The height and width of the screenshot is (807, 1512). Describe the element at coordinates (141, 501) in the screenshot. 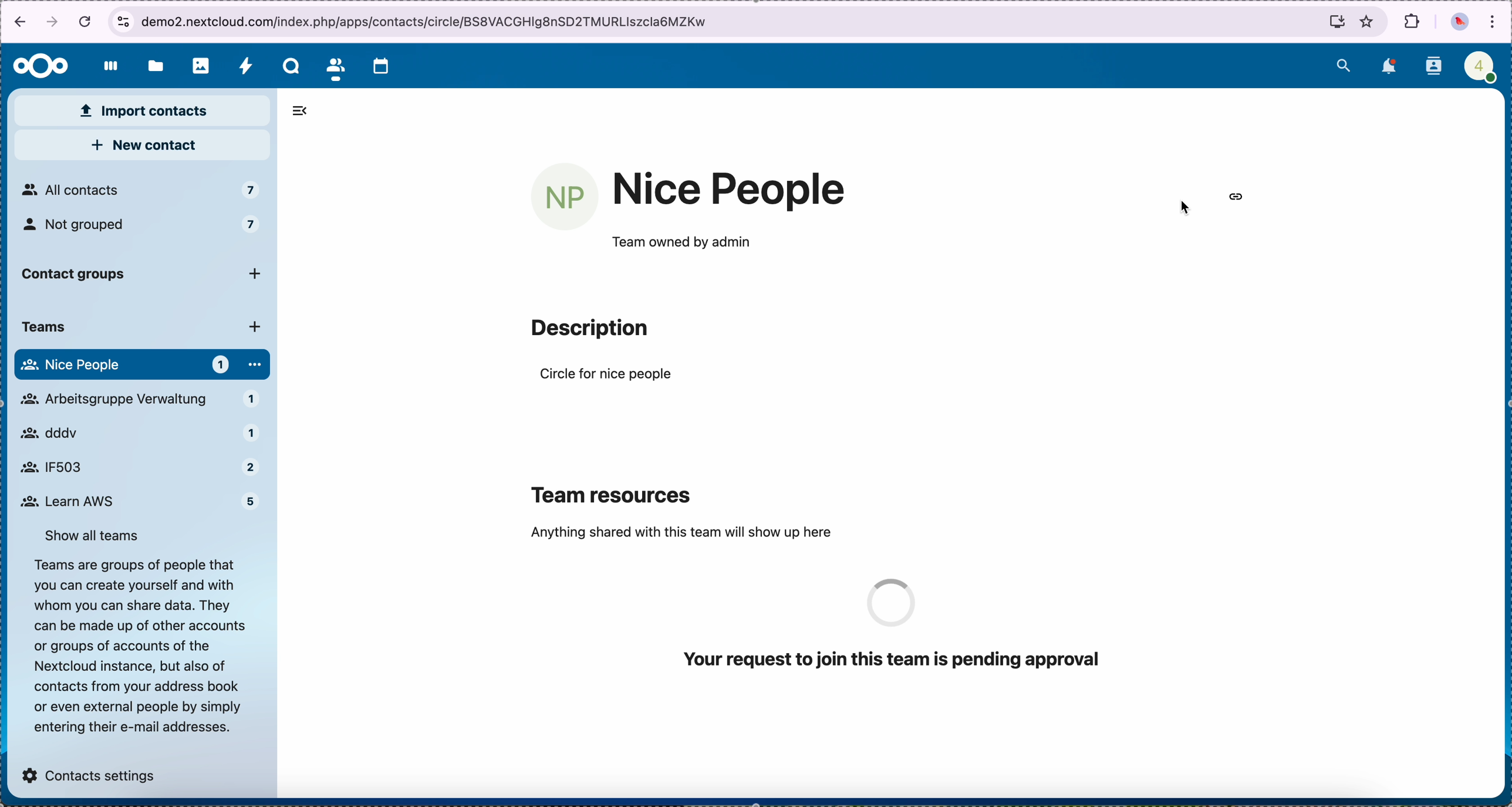

I see `nice people team` at that location.